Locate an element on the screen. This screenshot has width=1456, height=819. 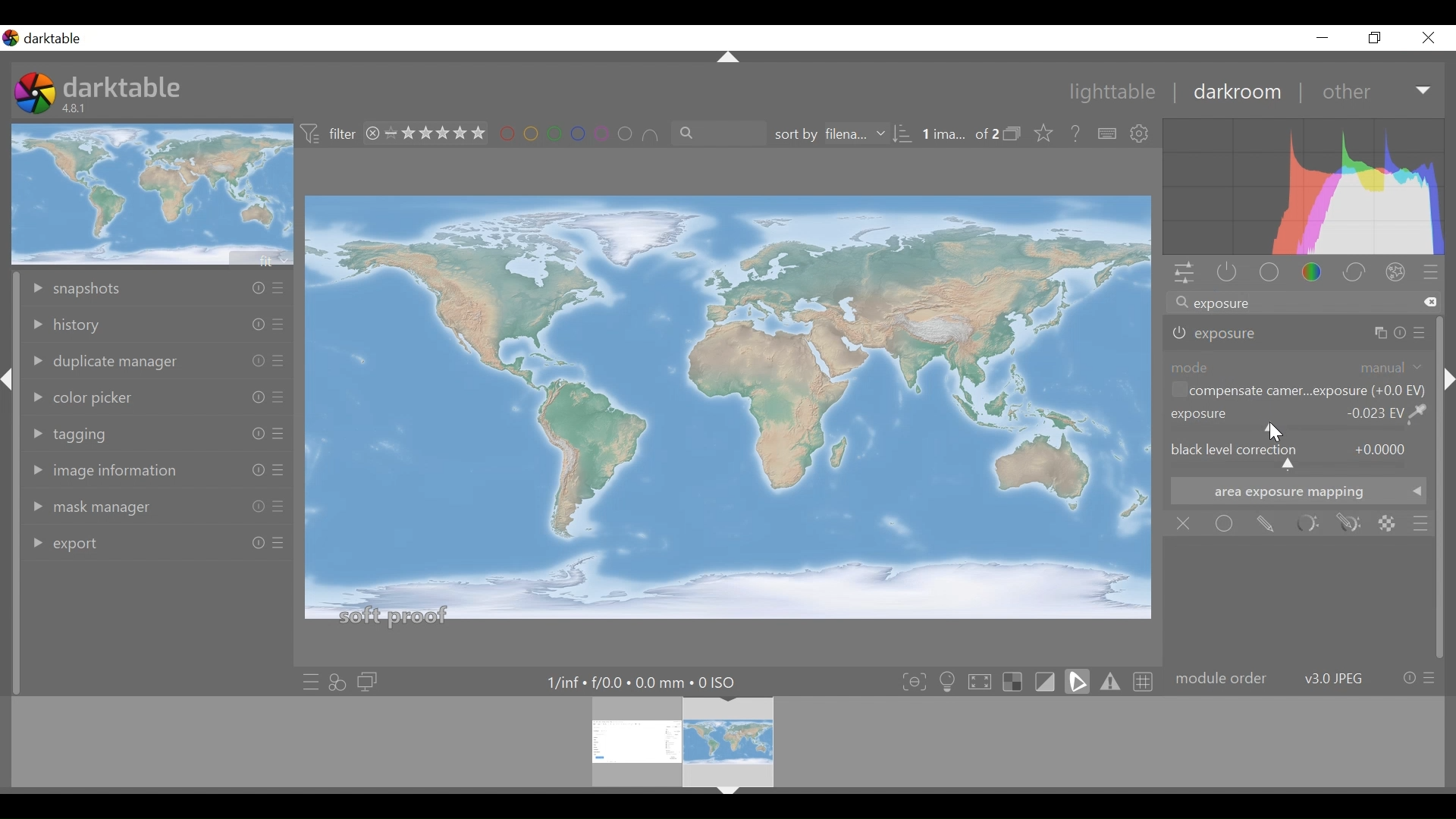
 is located at coordinates (278, 472).